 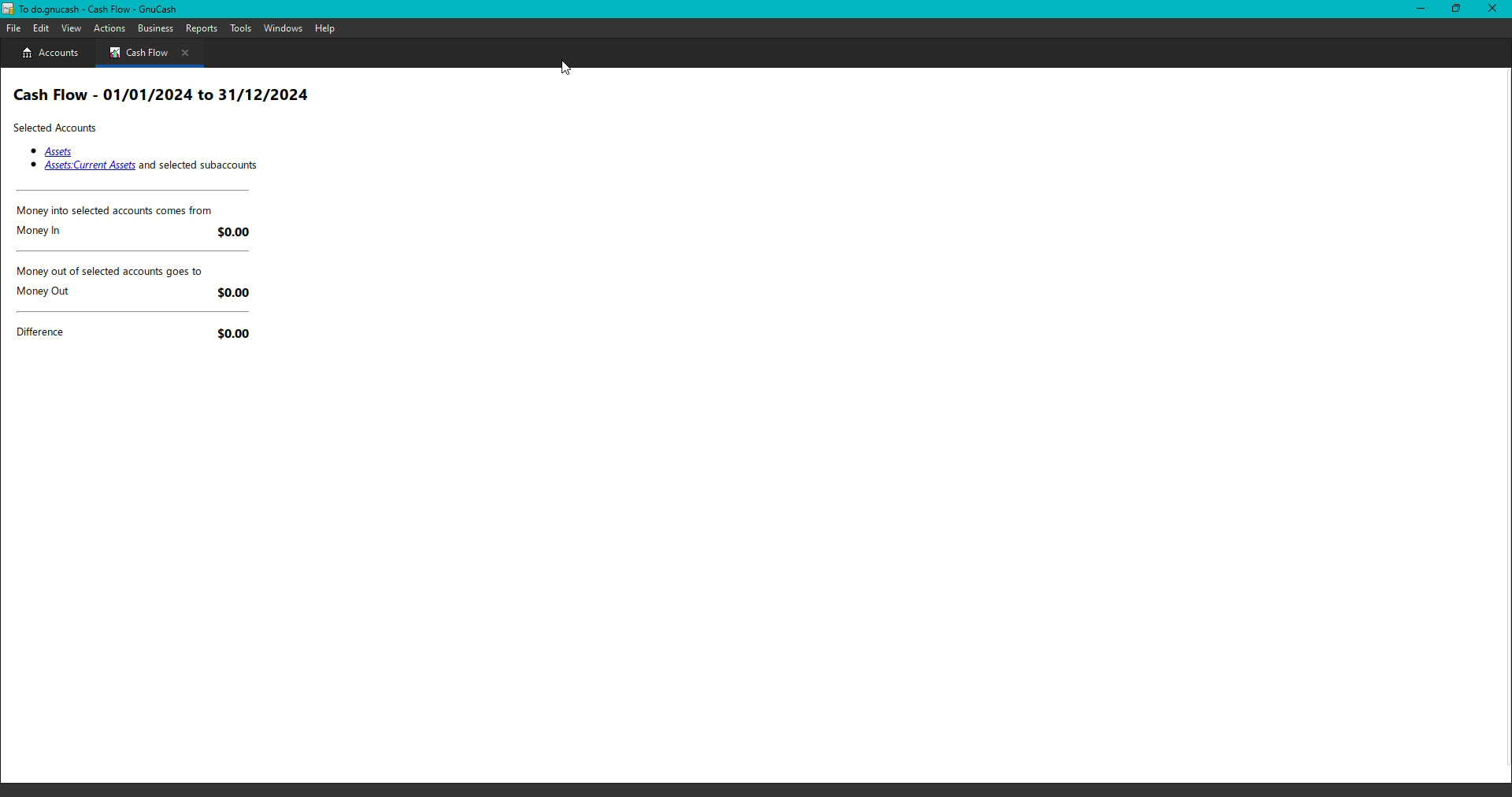 What do you see at coordinates (61, 129) in the screenshot?
I see `Selected Accounts` at bounding box center [61, 129].